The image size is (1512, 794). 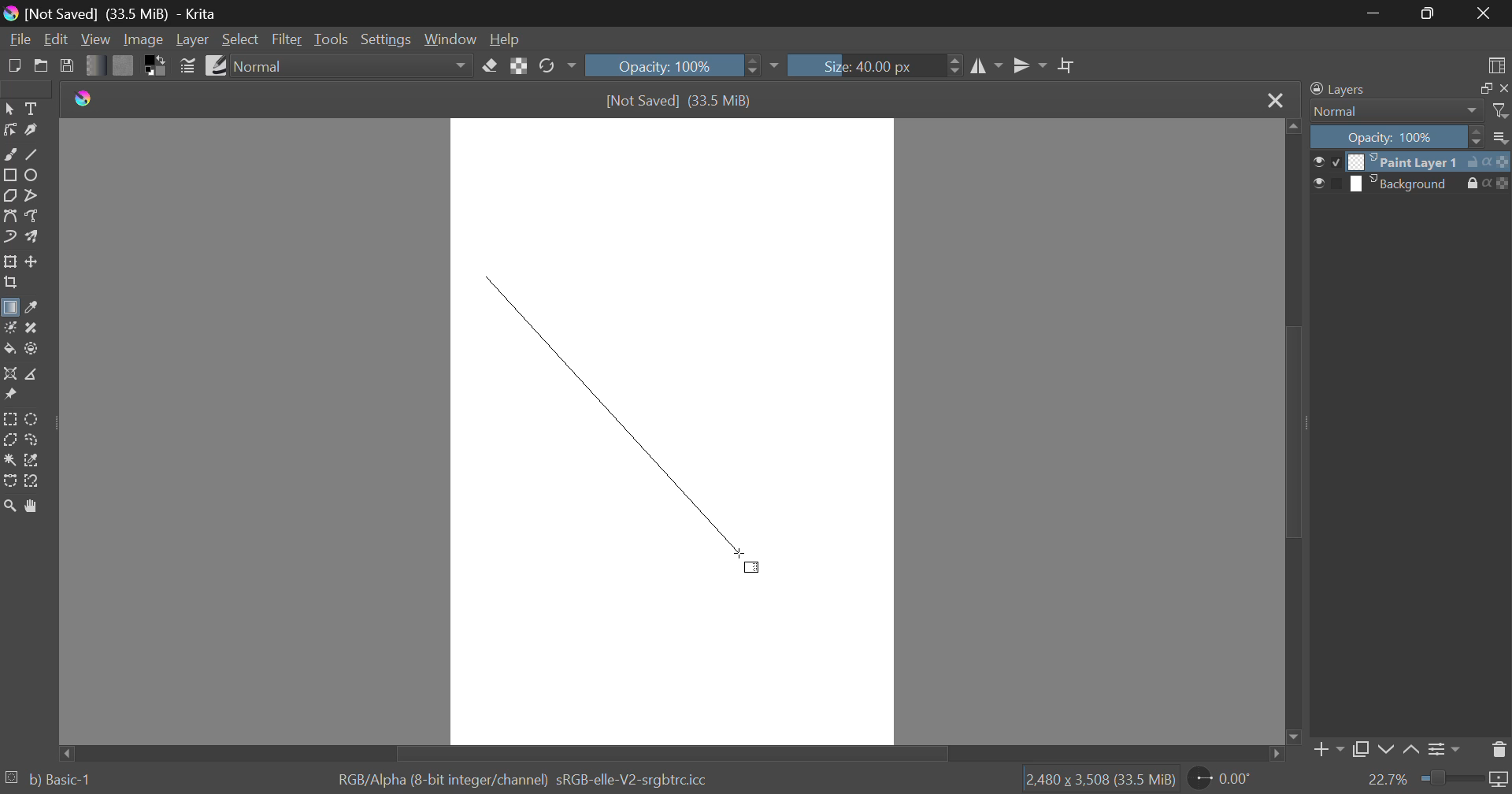 I want to click on Bezier Curve, so click(x=9, y=216).